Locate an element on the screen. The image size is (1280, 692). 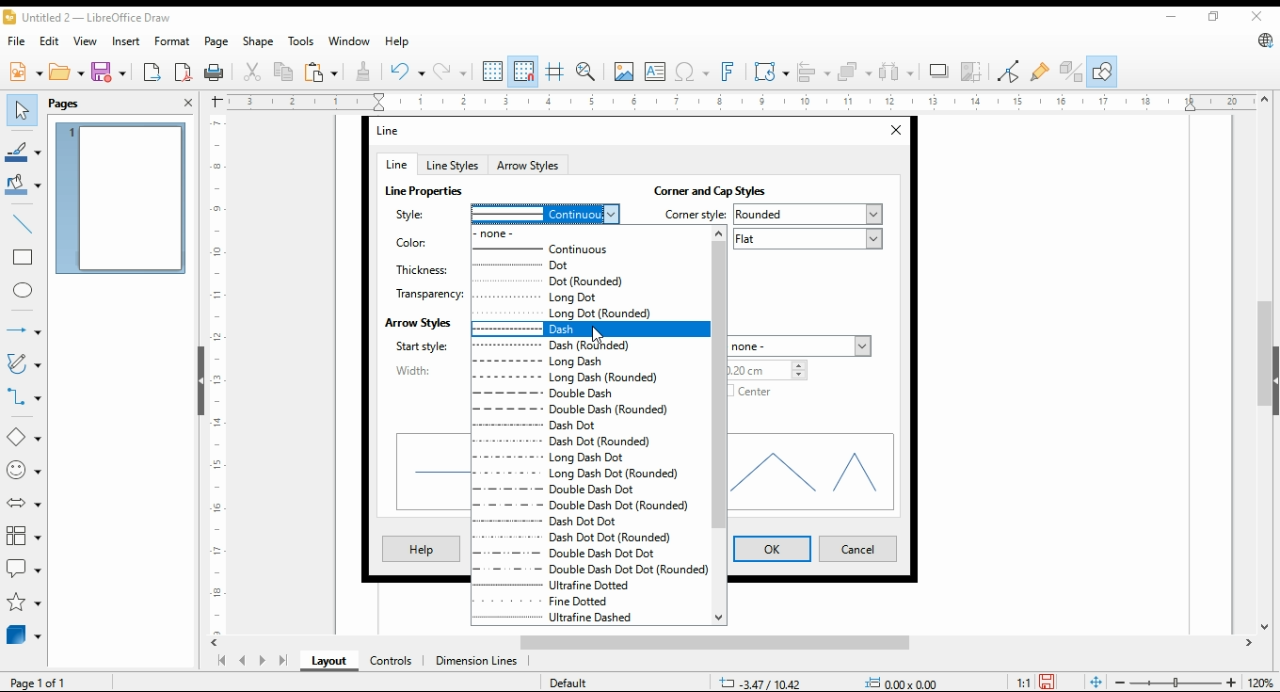
long dot rounded is located at coordinates (588, 313).